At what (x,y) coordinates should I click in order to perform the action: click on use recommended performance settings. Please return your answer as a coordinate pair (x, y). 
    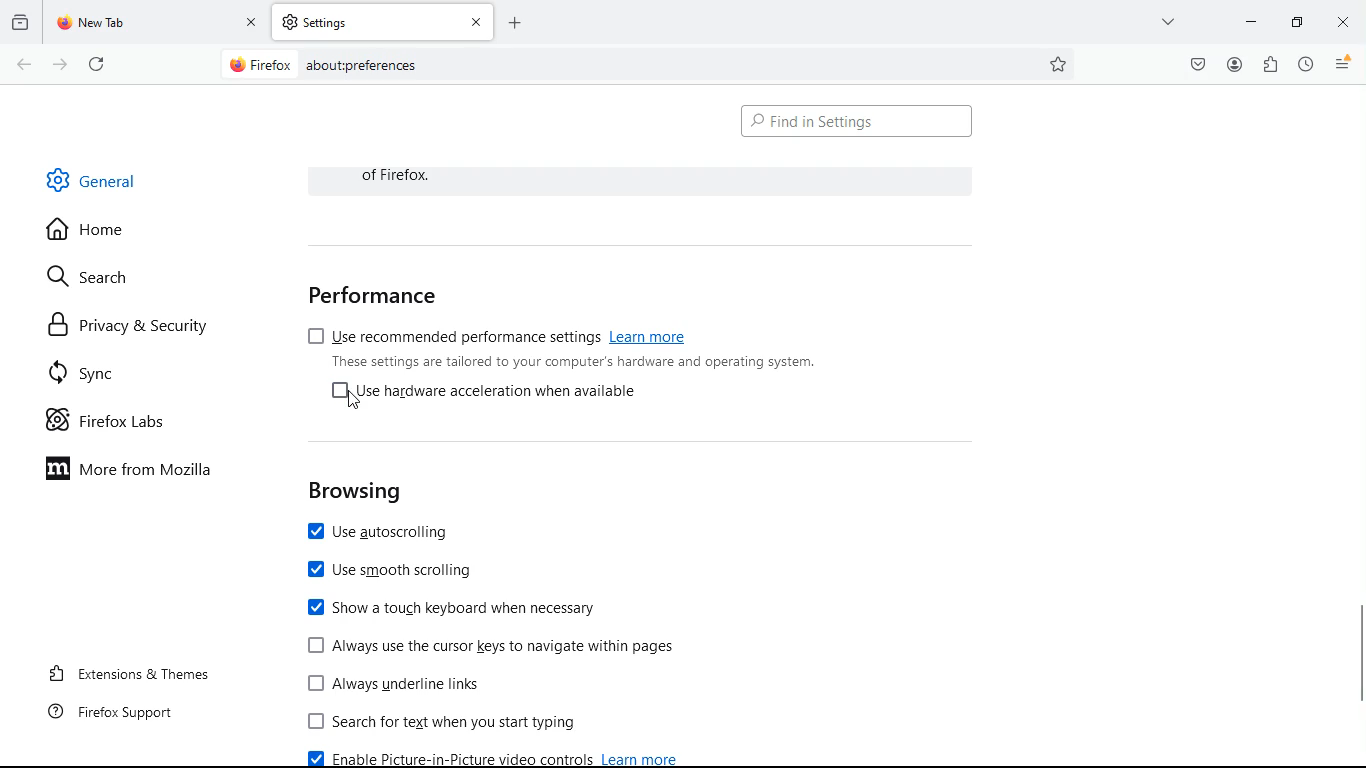
    Looking at the image, I should click on (497, 333).